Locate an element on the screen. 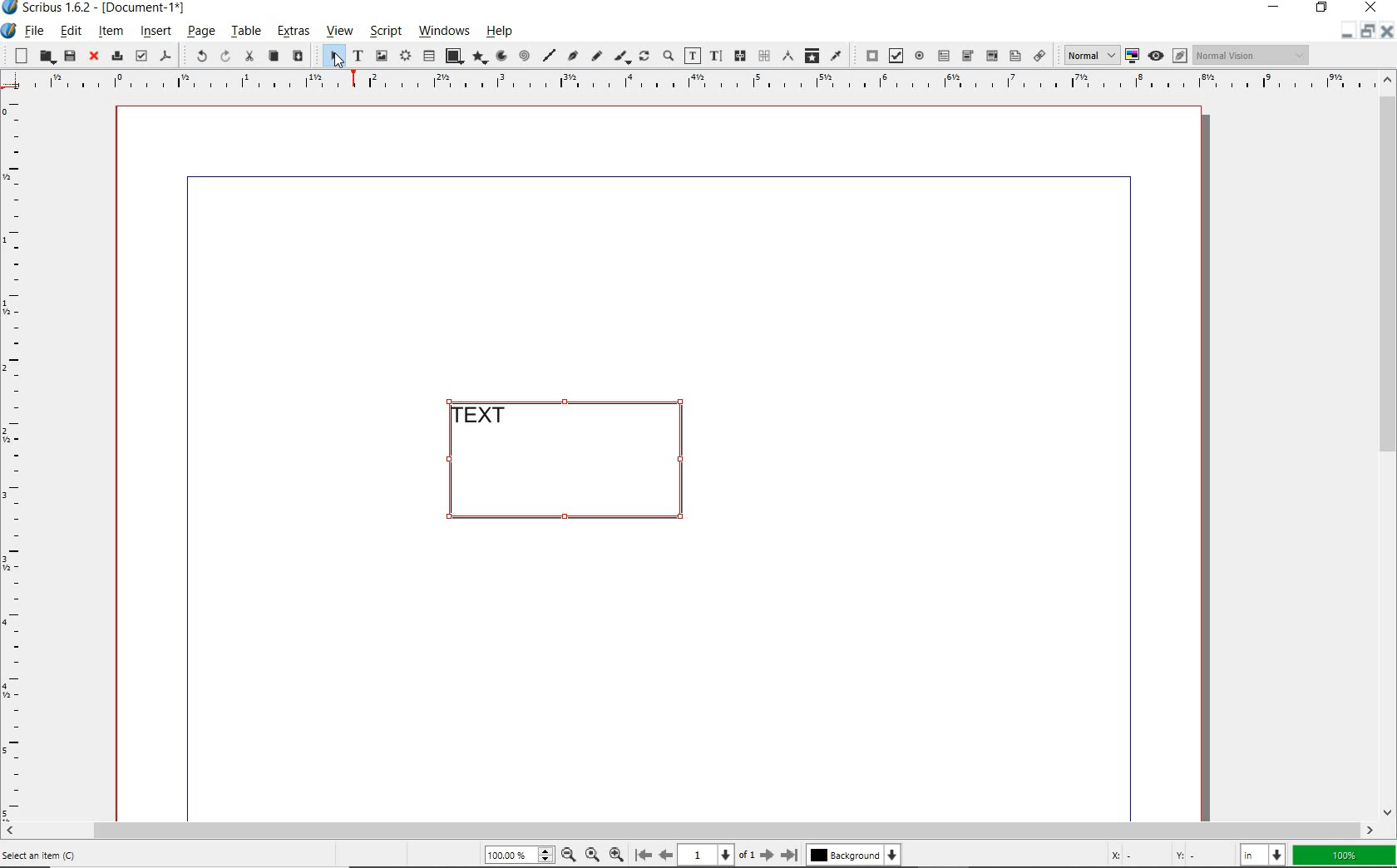 The image size is (1397, 868). unlink text frames is located at coordinates (764, 57).